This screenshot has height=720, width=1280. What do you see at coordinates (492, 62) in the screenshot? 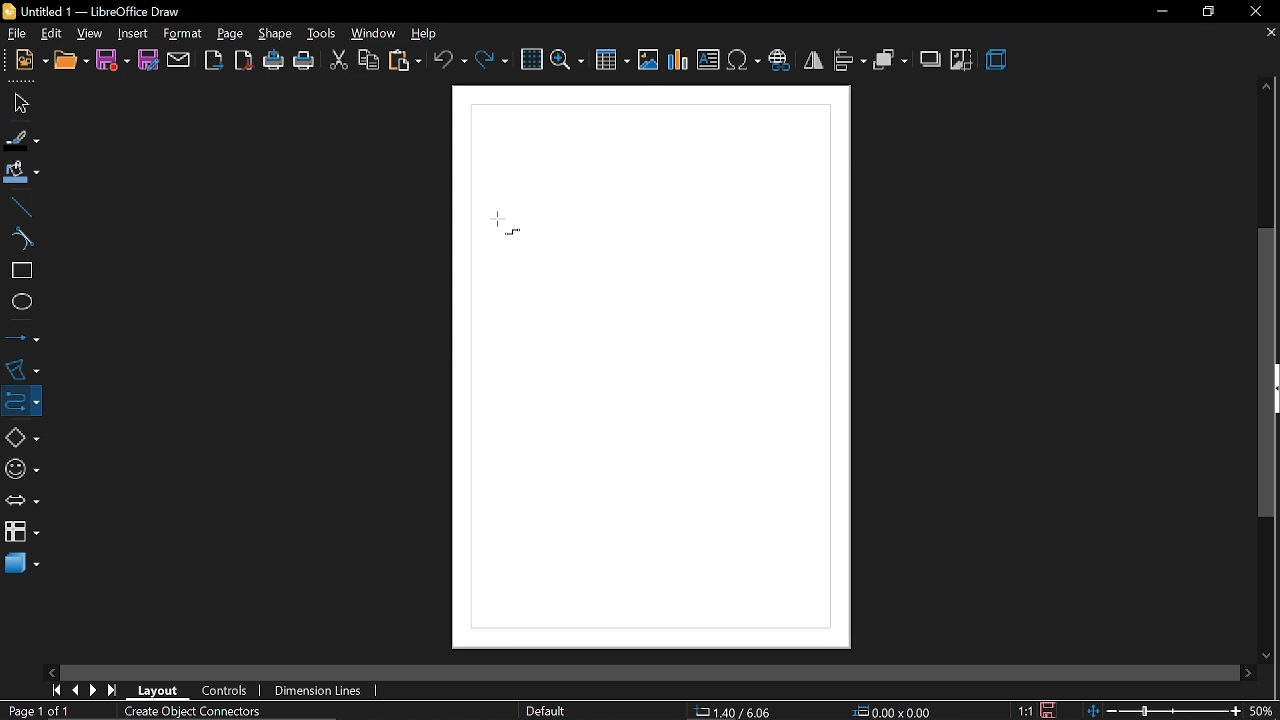
I see `redo` at bounding box center [492, 62].